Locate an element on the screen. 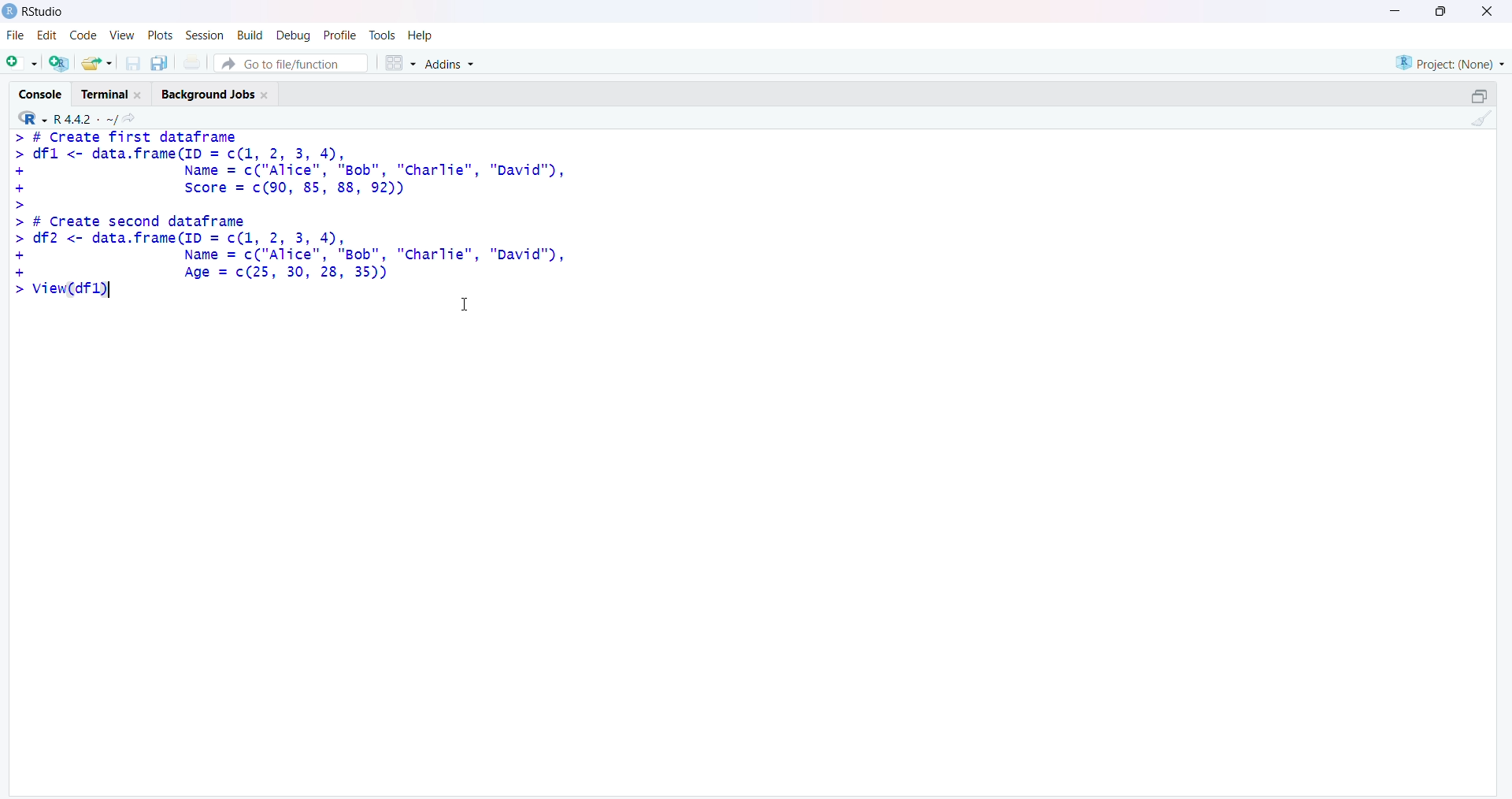 Image resolution: width=1512 pixels, height=799 pixels. open in separate window is located at coordinates (1480, 95).